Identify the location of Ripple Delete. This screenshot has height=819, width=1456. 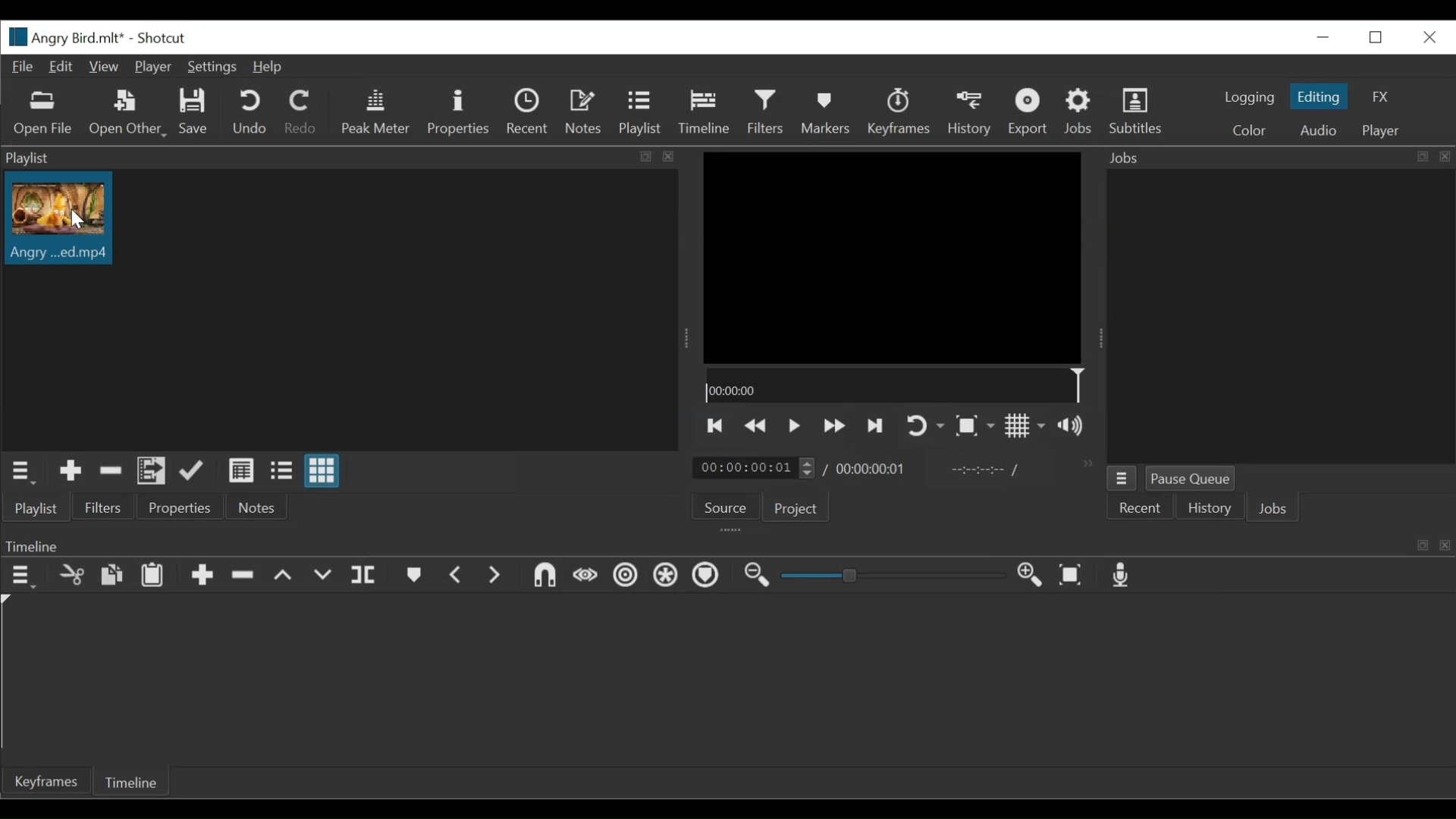
(245, 576).